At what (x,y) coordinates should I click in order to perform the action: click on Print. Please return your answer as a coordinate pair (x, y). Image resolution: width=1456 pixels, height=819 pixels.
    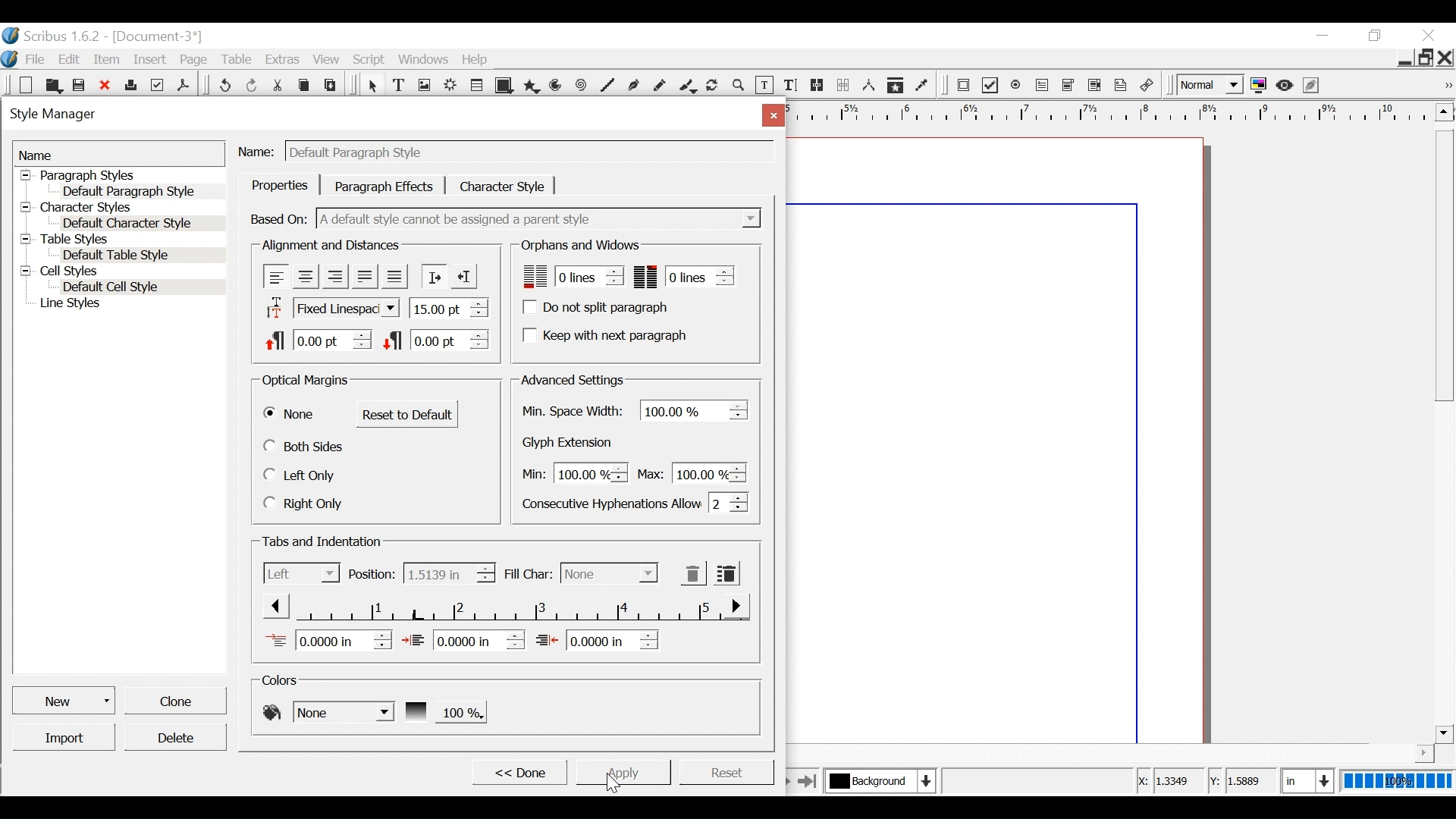
    Looking at the image, I should click on (130, 83).